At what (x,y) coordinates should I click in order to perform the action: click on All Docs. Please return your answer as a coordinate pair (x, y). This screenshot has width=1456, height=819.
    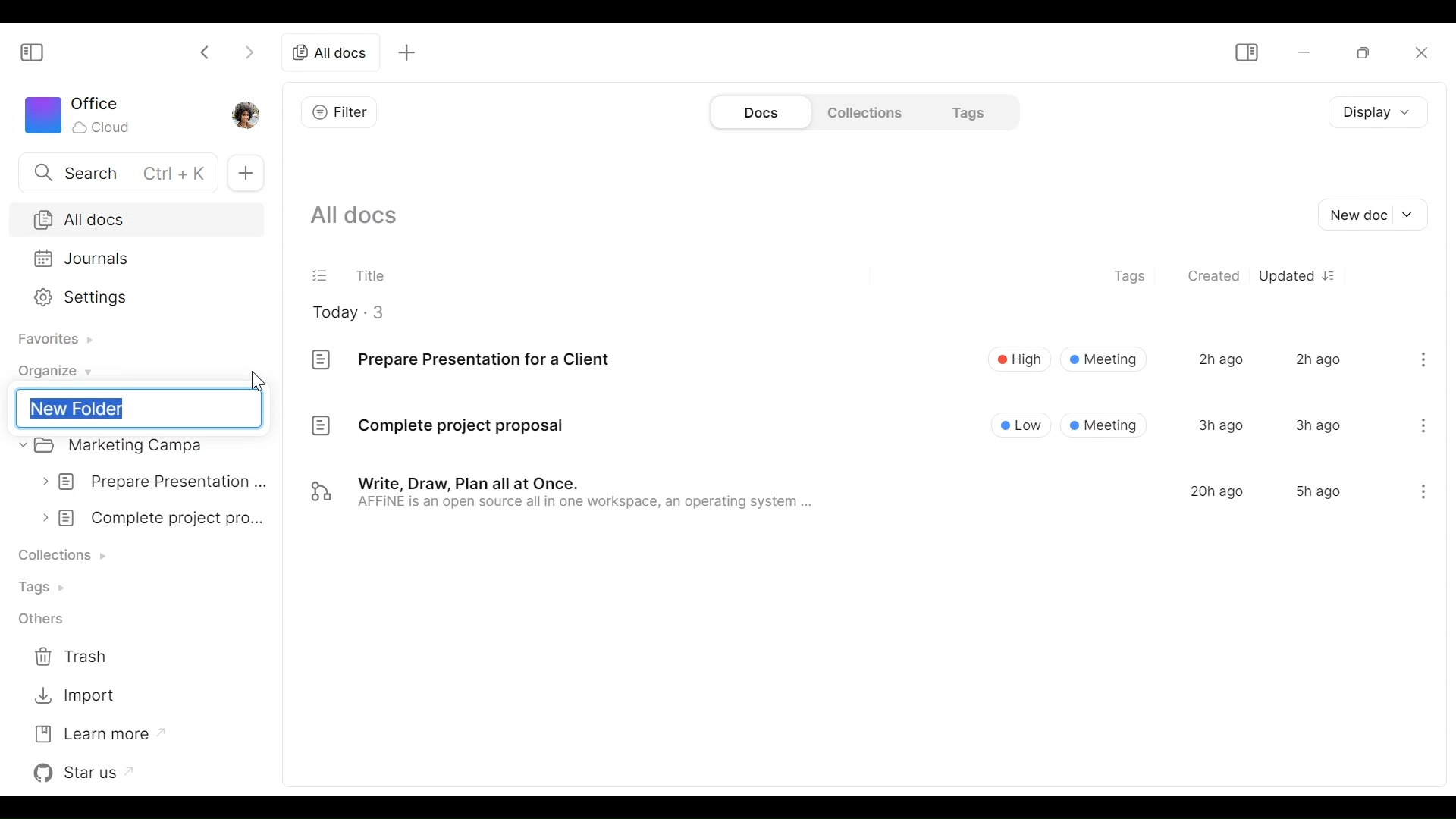
    Looking at the image, I should click on (134, 219).